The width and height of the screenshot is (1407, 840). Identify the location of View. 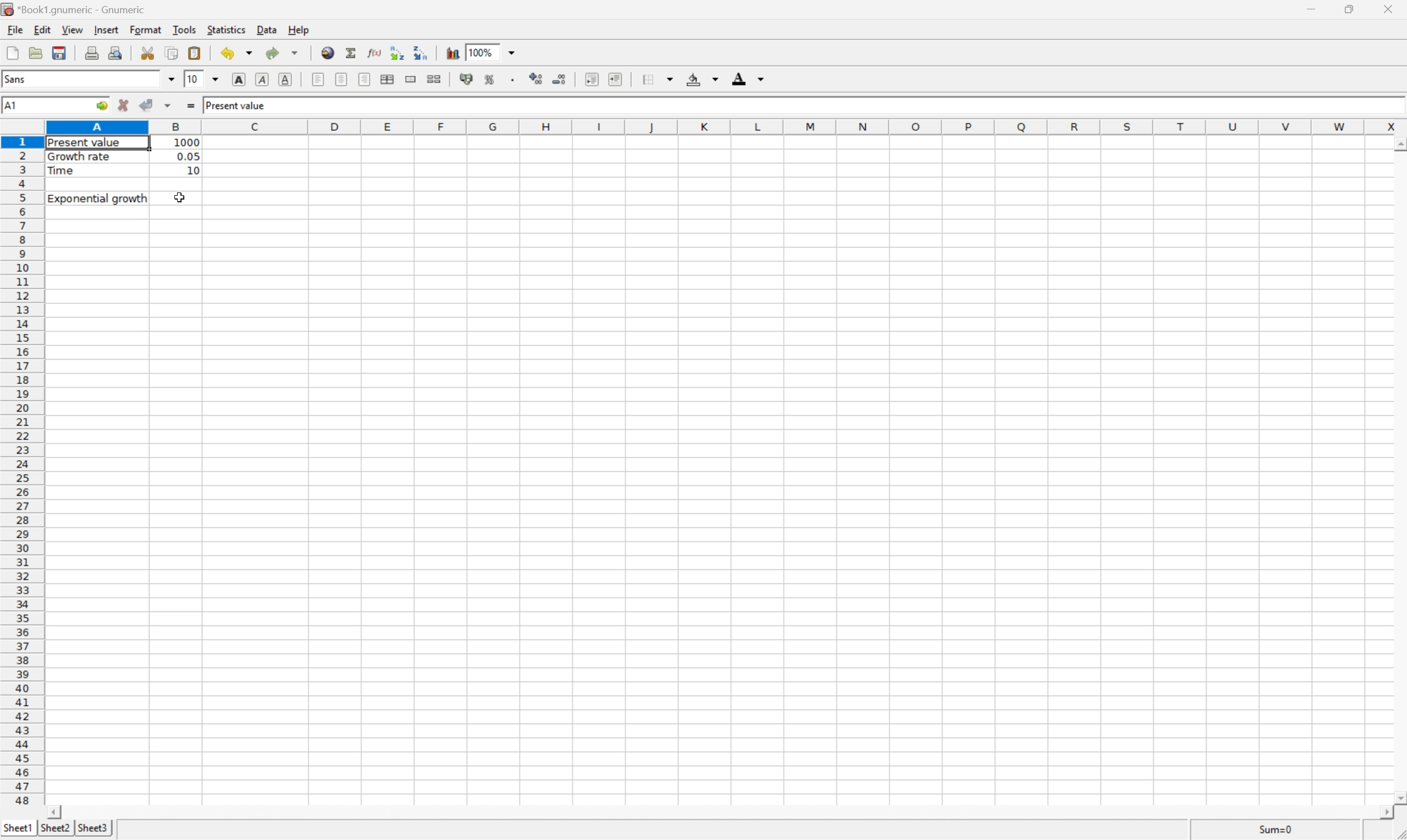
(73, 29).